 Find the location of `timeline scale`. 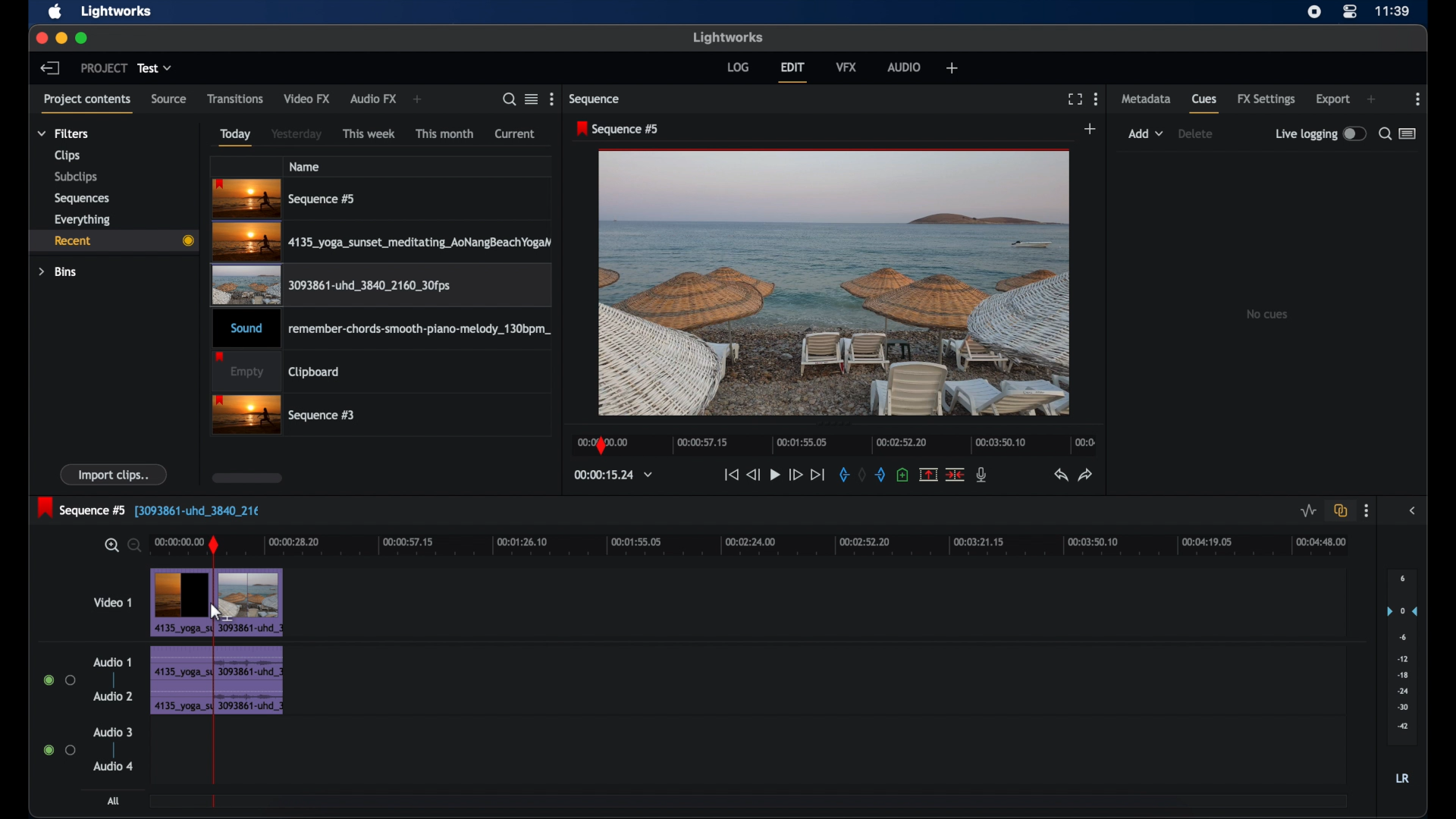

timeline scale is located at coordinates (758, 546).